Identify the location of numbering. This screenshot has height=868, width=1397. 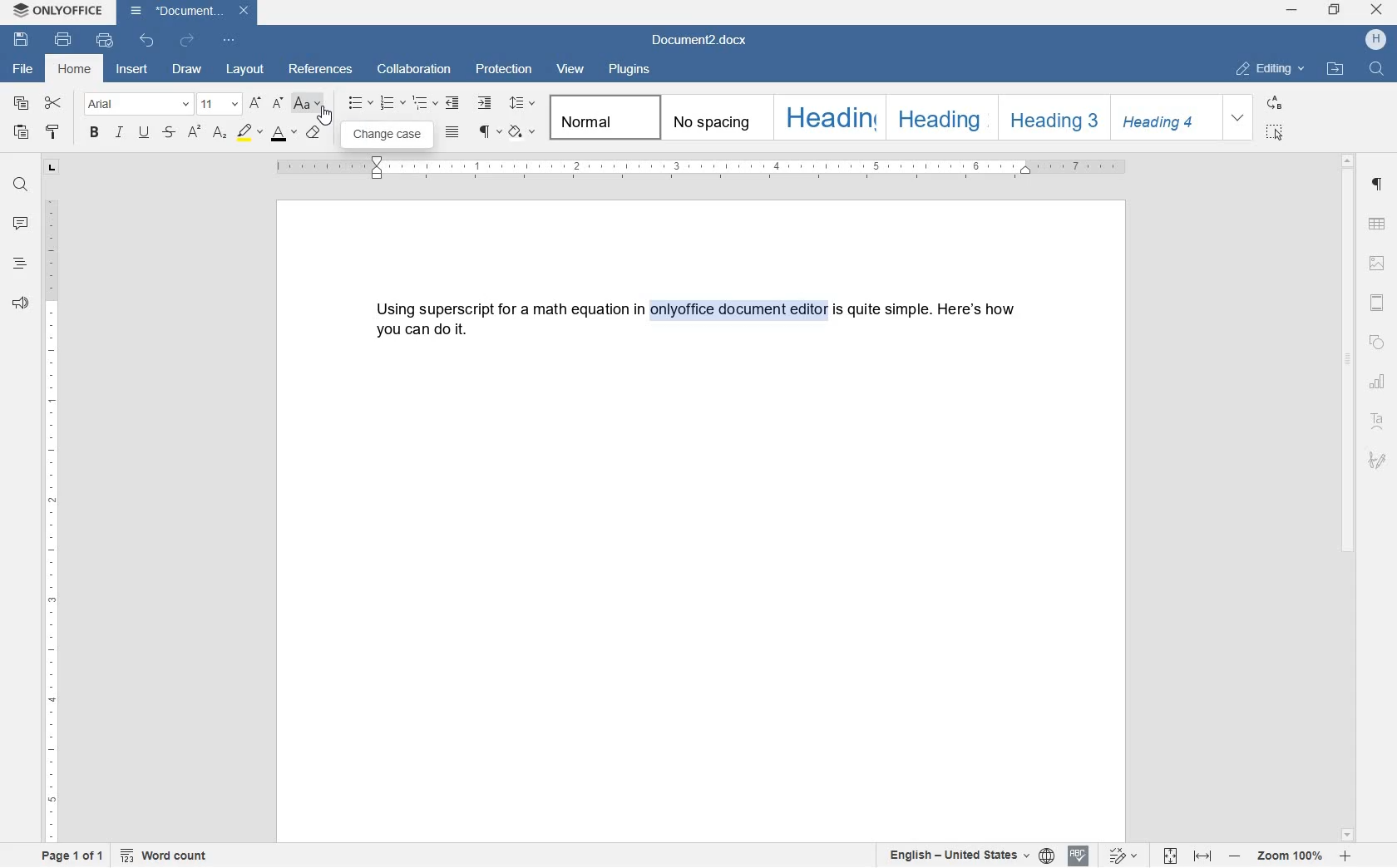
(392, 102).